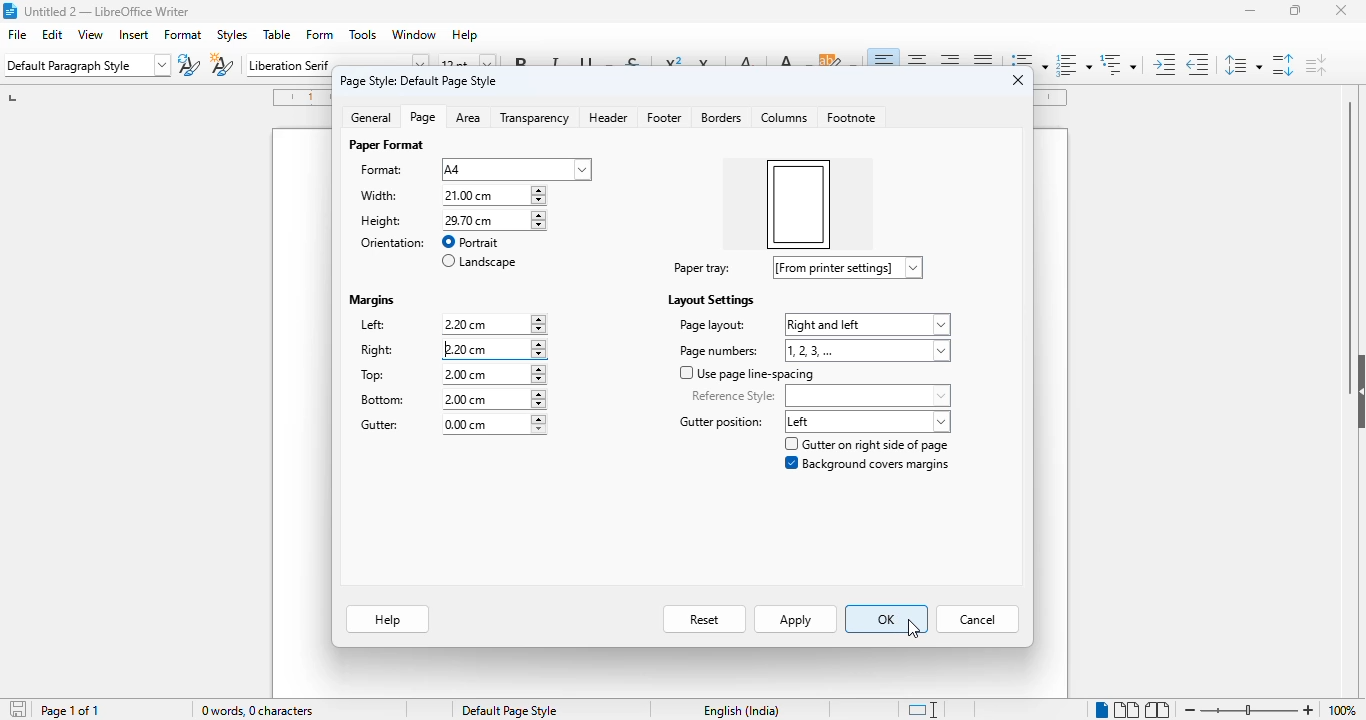 The image size is (1366, 720). What do you see at coordinates (289, 66) in the screenshot?
I see `font name` at bounding box center [289, 66].